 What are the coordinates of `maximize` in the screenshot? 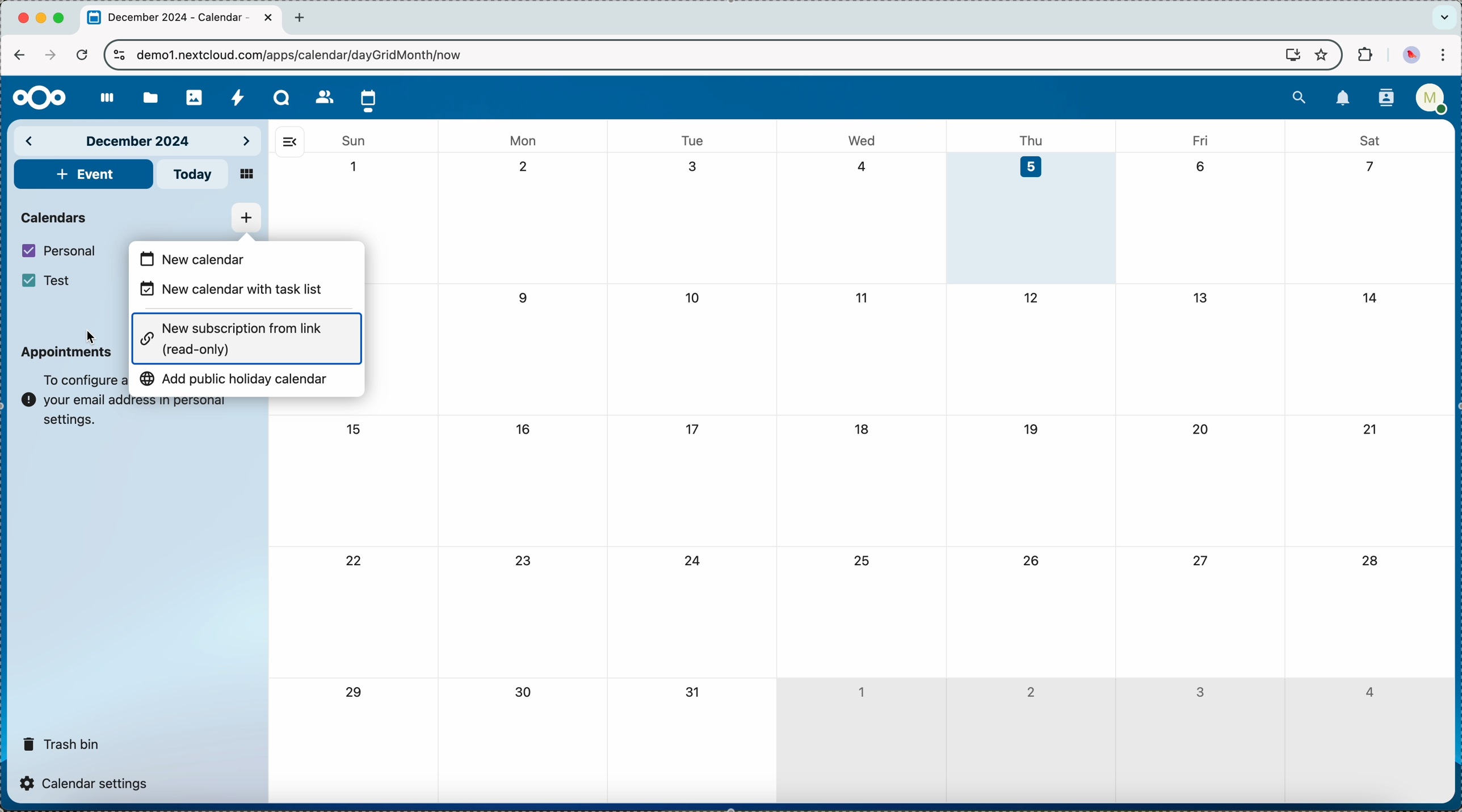 It's located at (61, 18).